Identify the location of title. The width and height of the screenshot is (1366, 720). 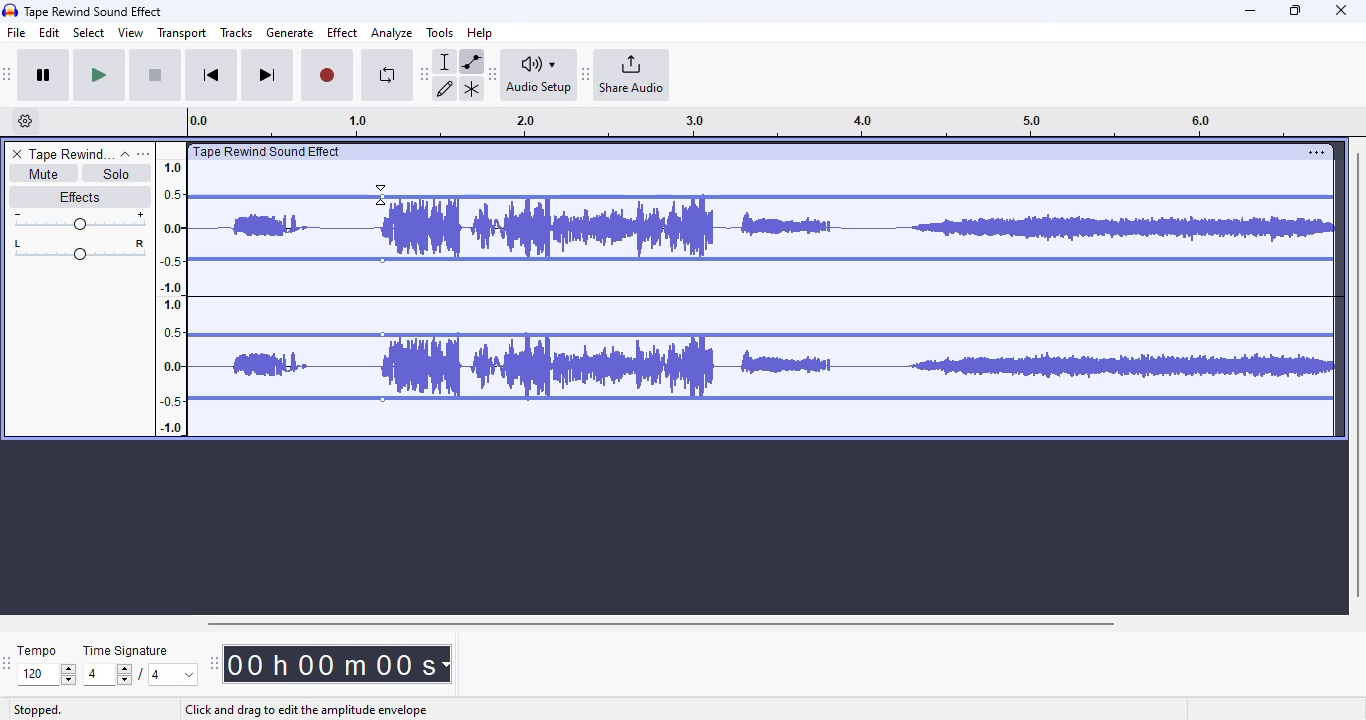
(94, 11).